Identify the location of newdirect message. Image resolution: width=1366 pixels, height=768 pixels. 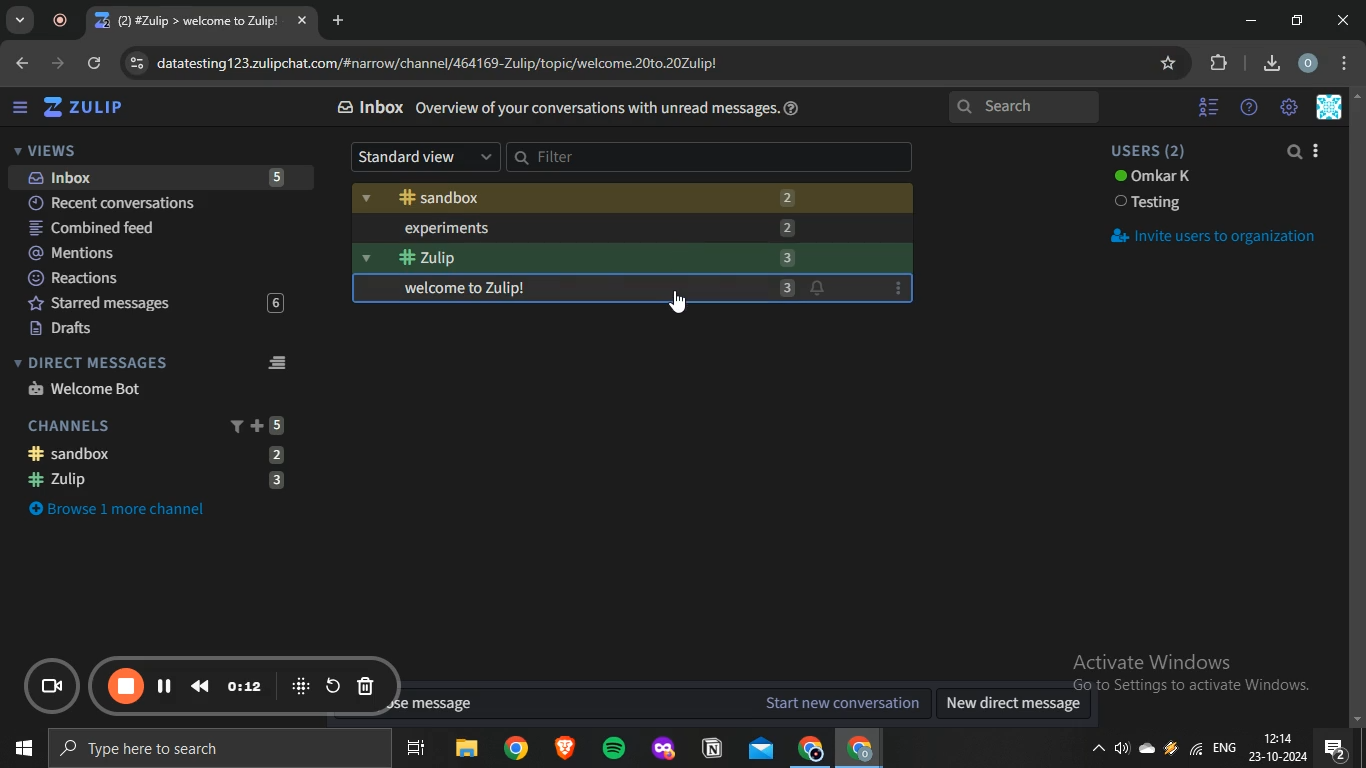
(1019, 705).